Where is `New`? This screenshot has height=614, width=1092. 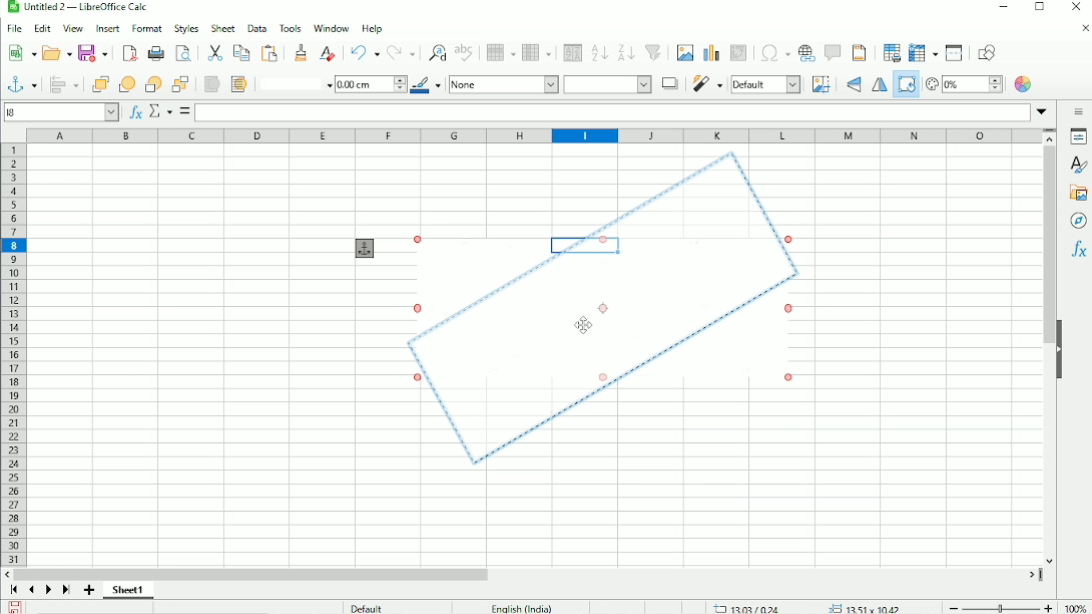 New is located at coordinates (20, 54).